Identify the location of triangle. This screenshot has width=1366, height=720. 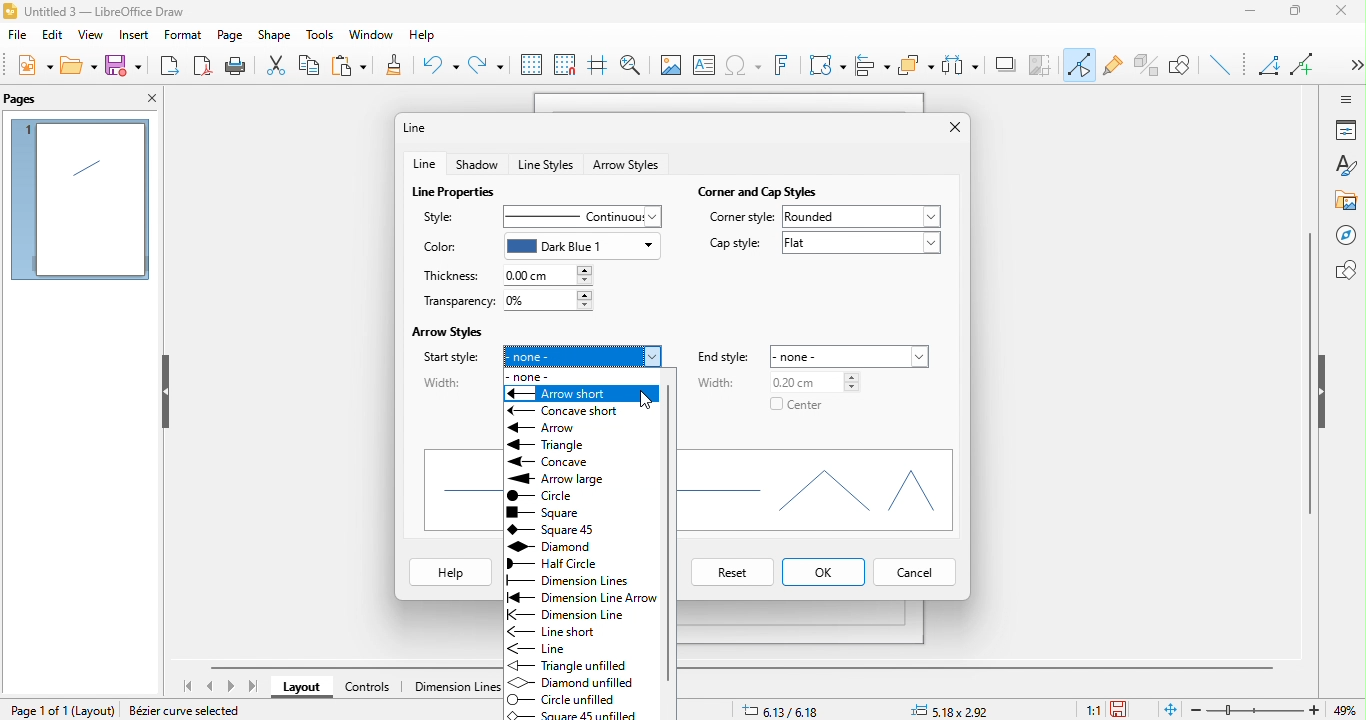
(550, 444).